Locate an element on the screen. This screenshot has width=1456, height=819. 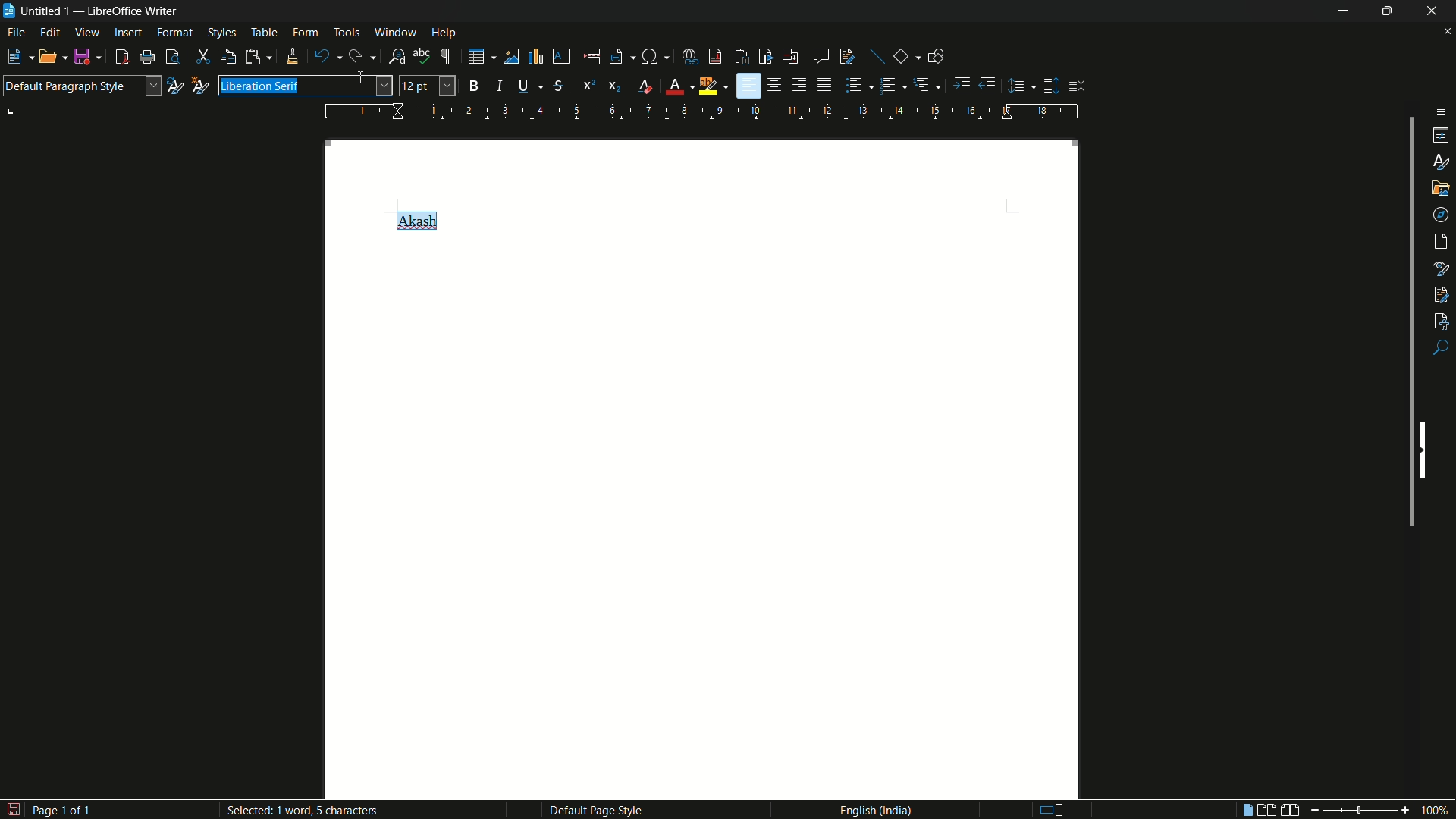
language is located at coordinates (874, 809).